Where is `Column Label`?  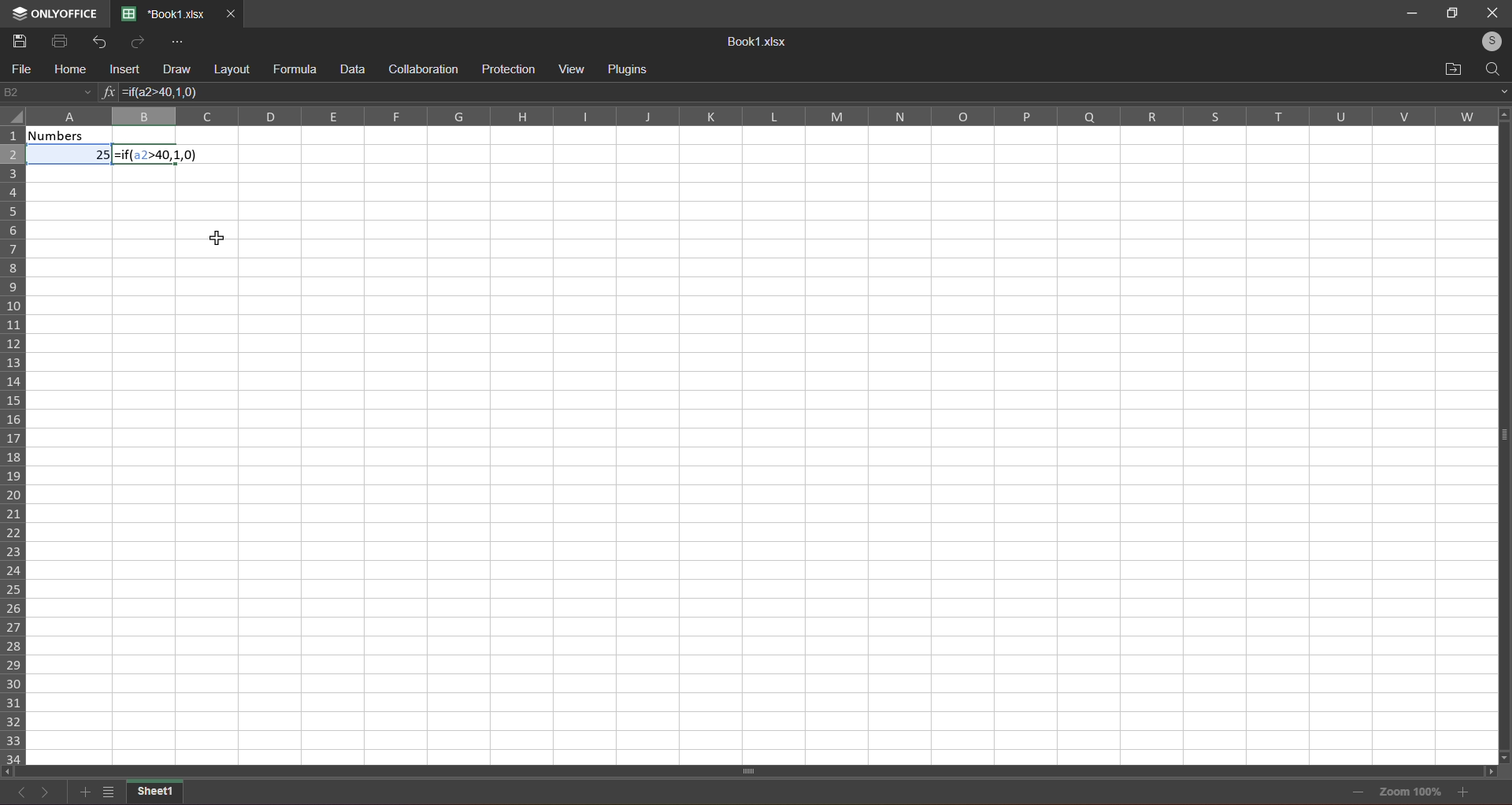 Column Label is located at coordinates (752, 116).